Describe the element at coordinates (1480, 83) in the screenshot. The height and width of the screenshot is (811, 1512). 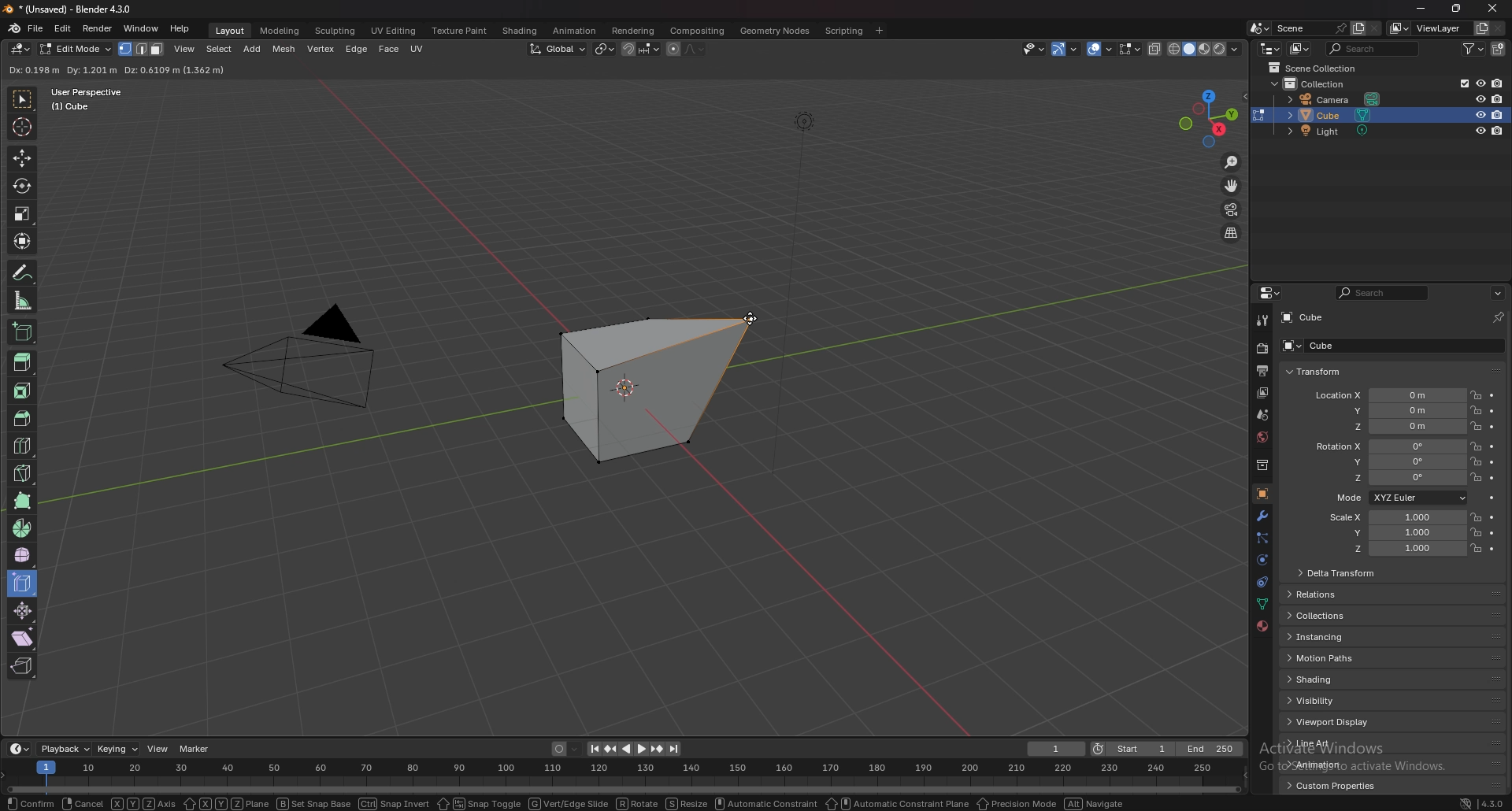
I see `hide in viewport` at that location.